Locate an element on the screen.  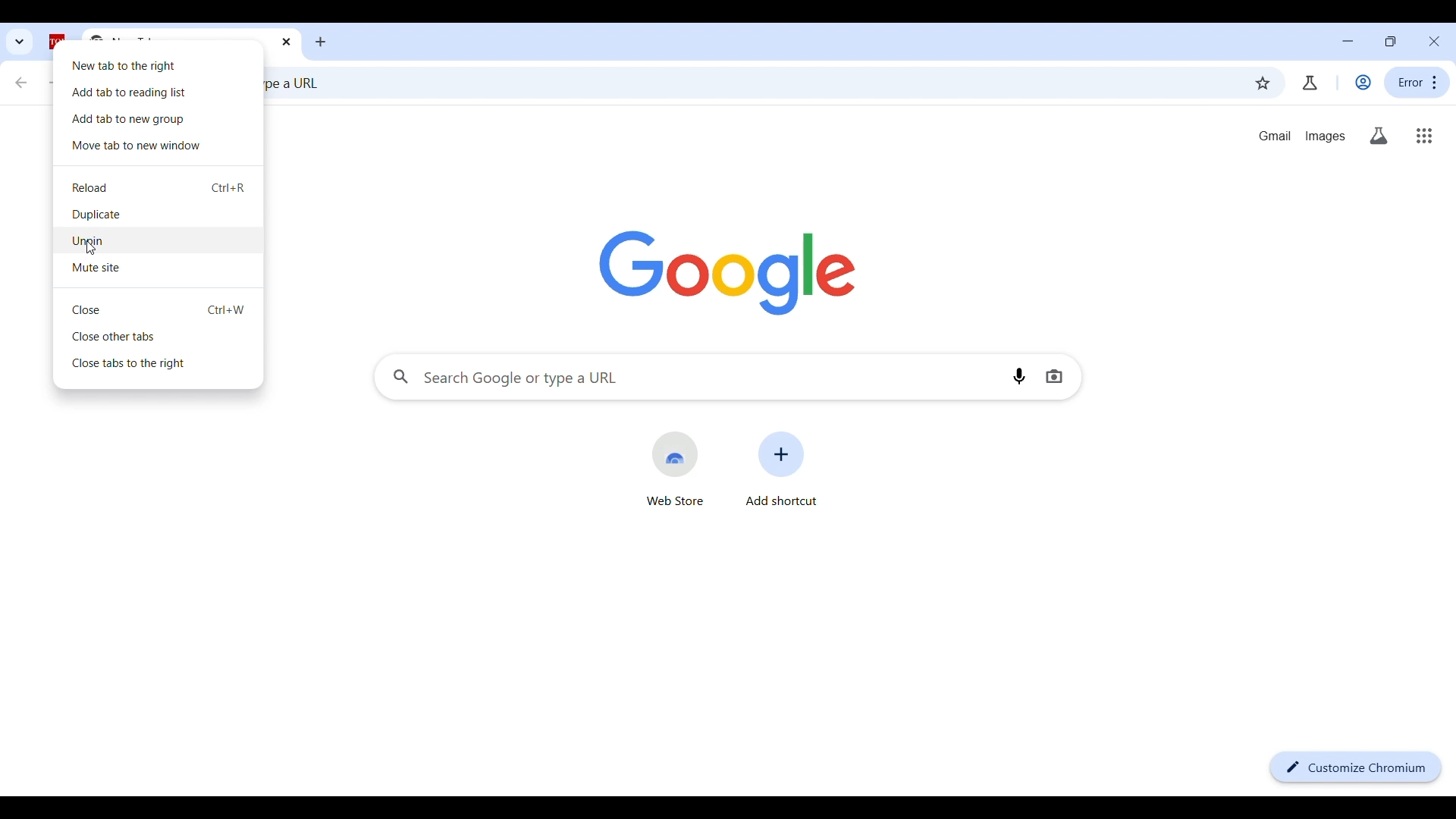
Search web box is located at coordinates (748, 85).